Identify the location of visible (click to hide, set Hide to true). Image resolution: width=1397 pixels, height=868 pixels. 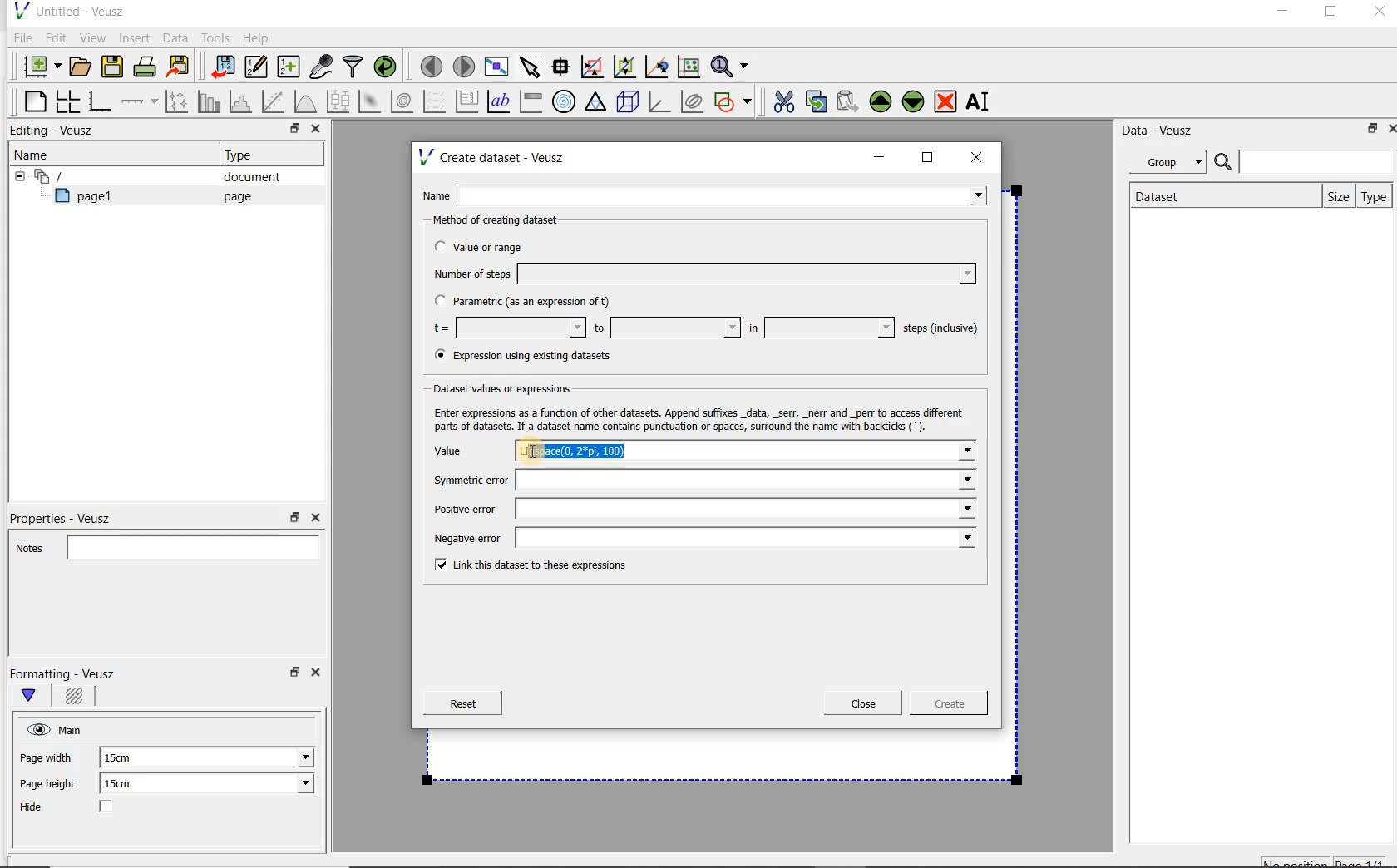
(36, 729).